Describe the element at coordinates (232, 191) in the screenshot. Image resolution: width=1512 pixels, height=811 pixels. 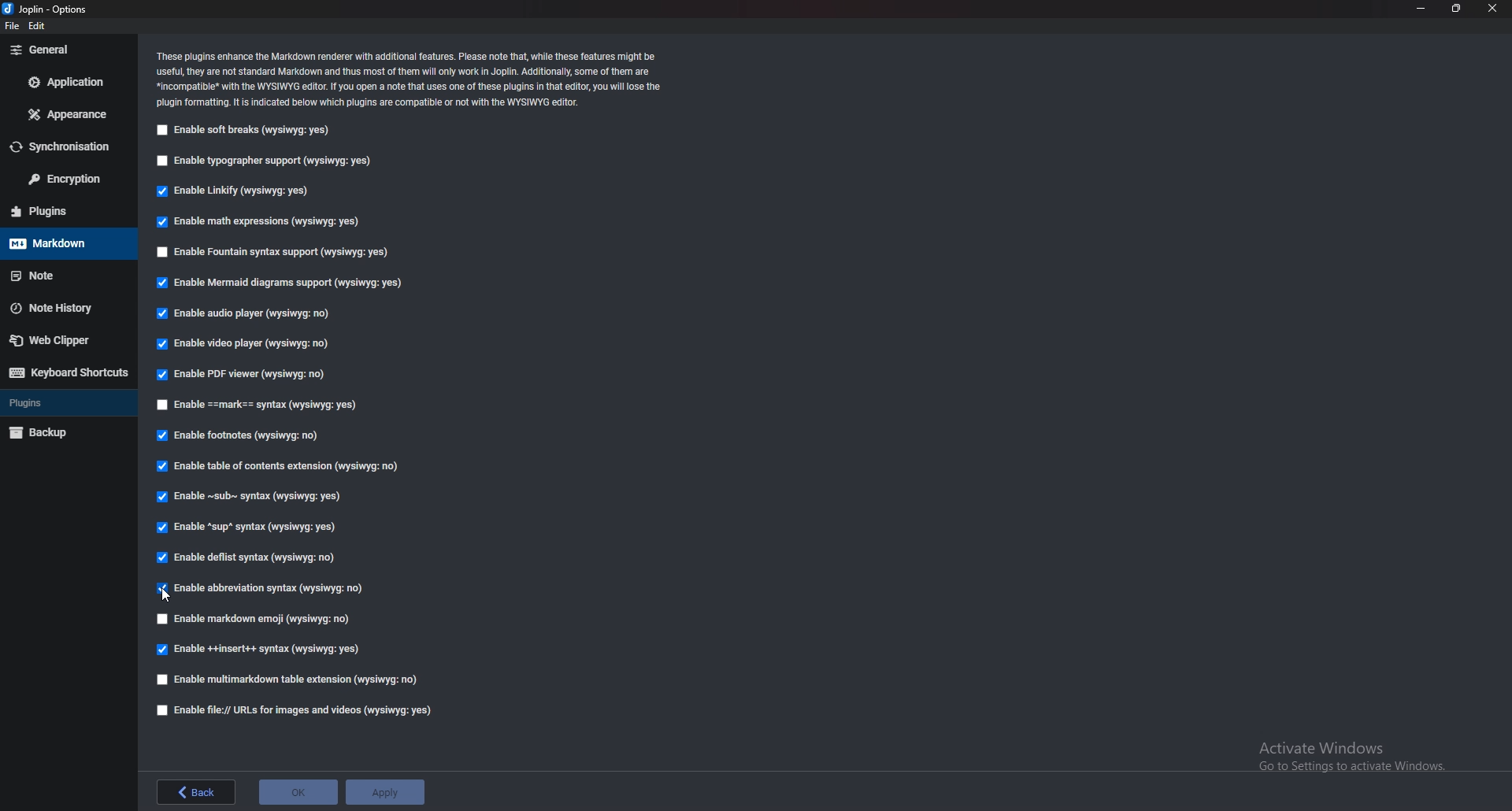
I see `Enable linkify` at that location.